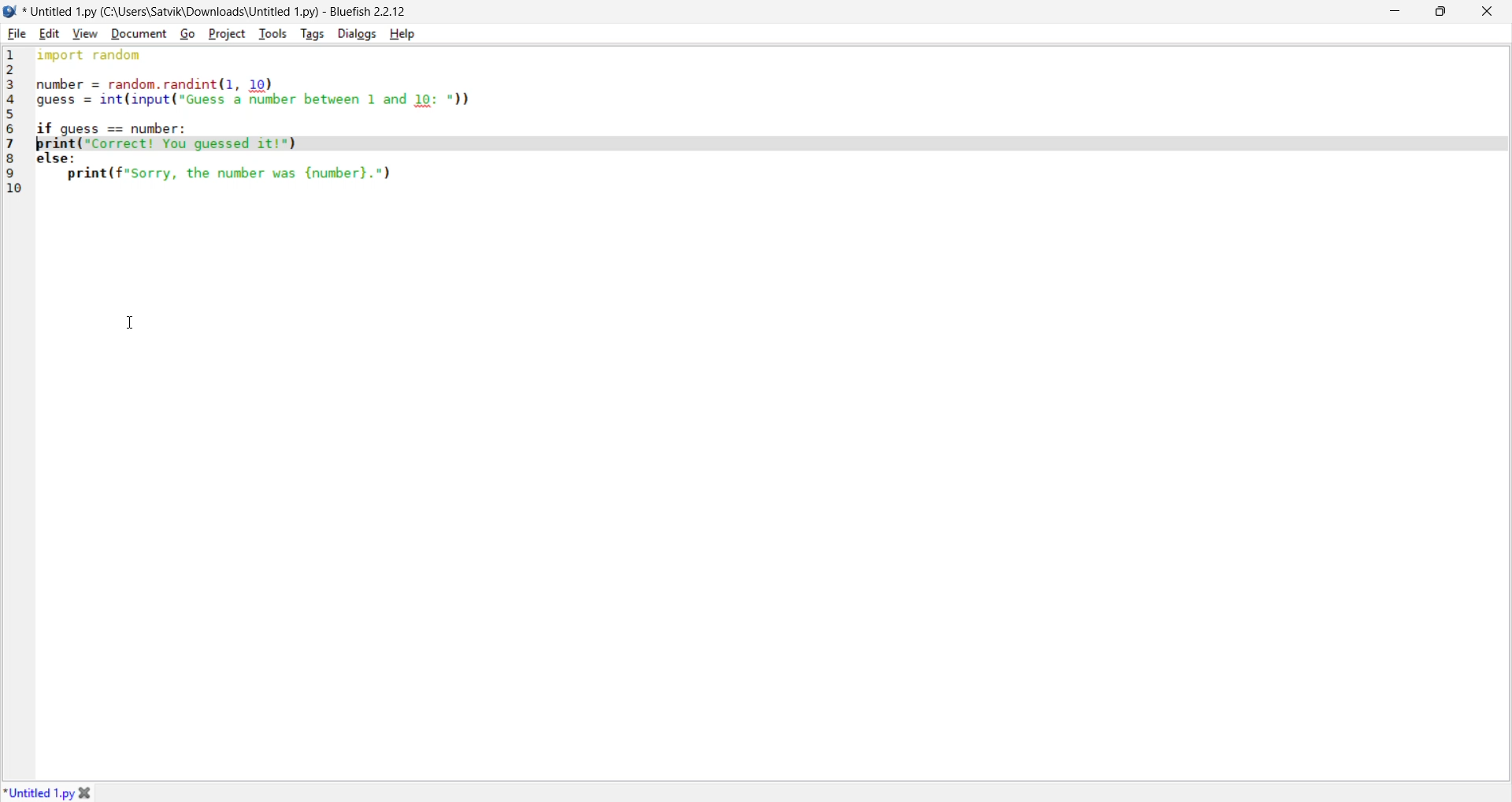 The height and width of the screenshot is (802, 1512). Describe the element at coordinates (137, 34) in the screenshot. I see `document` at that location.